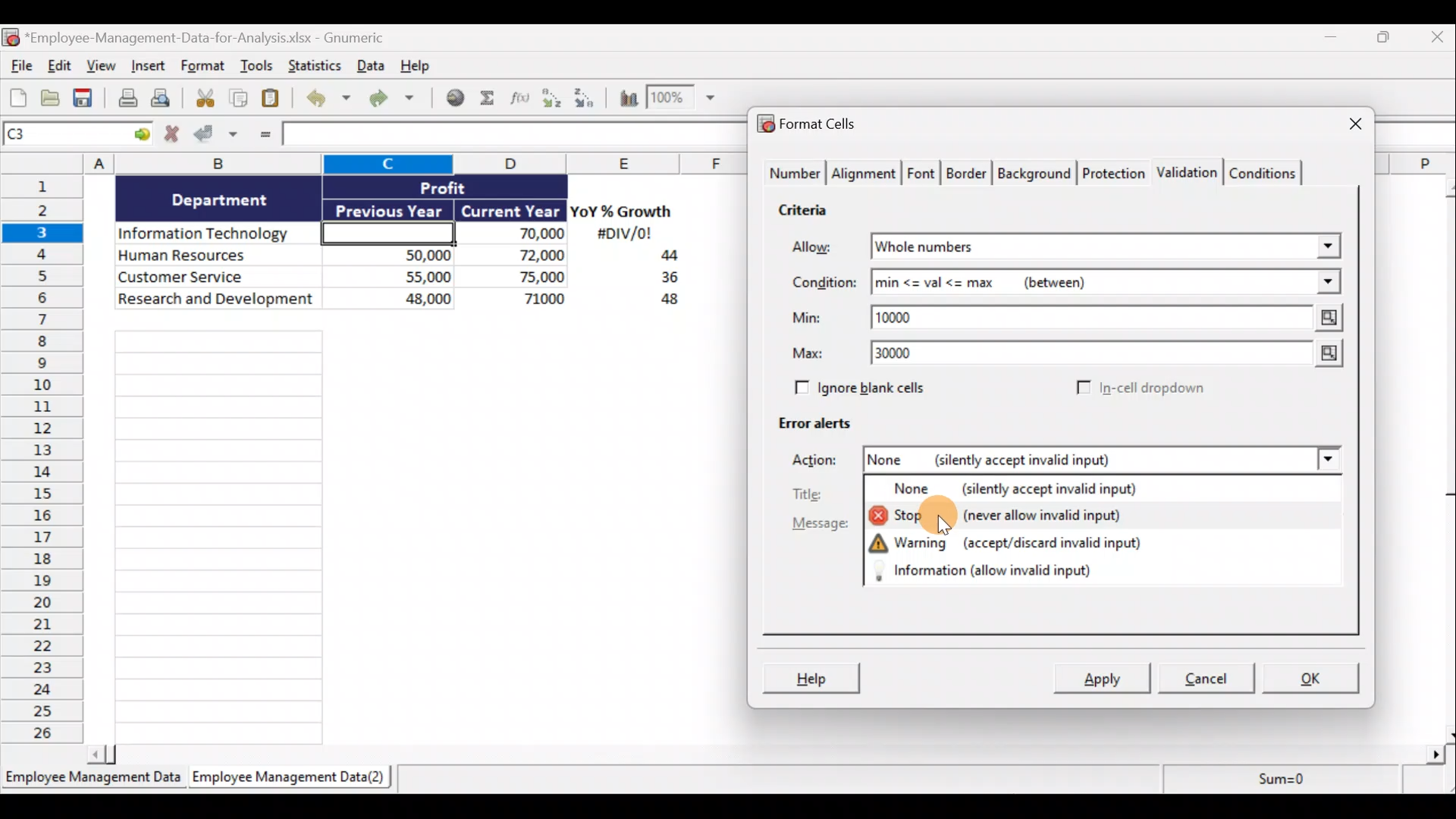  Describe the element at coordinates (18, 97) in the screenshot. I see `Create new workbook` at that location.